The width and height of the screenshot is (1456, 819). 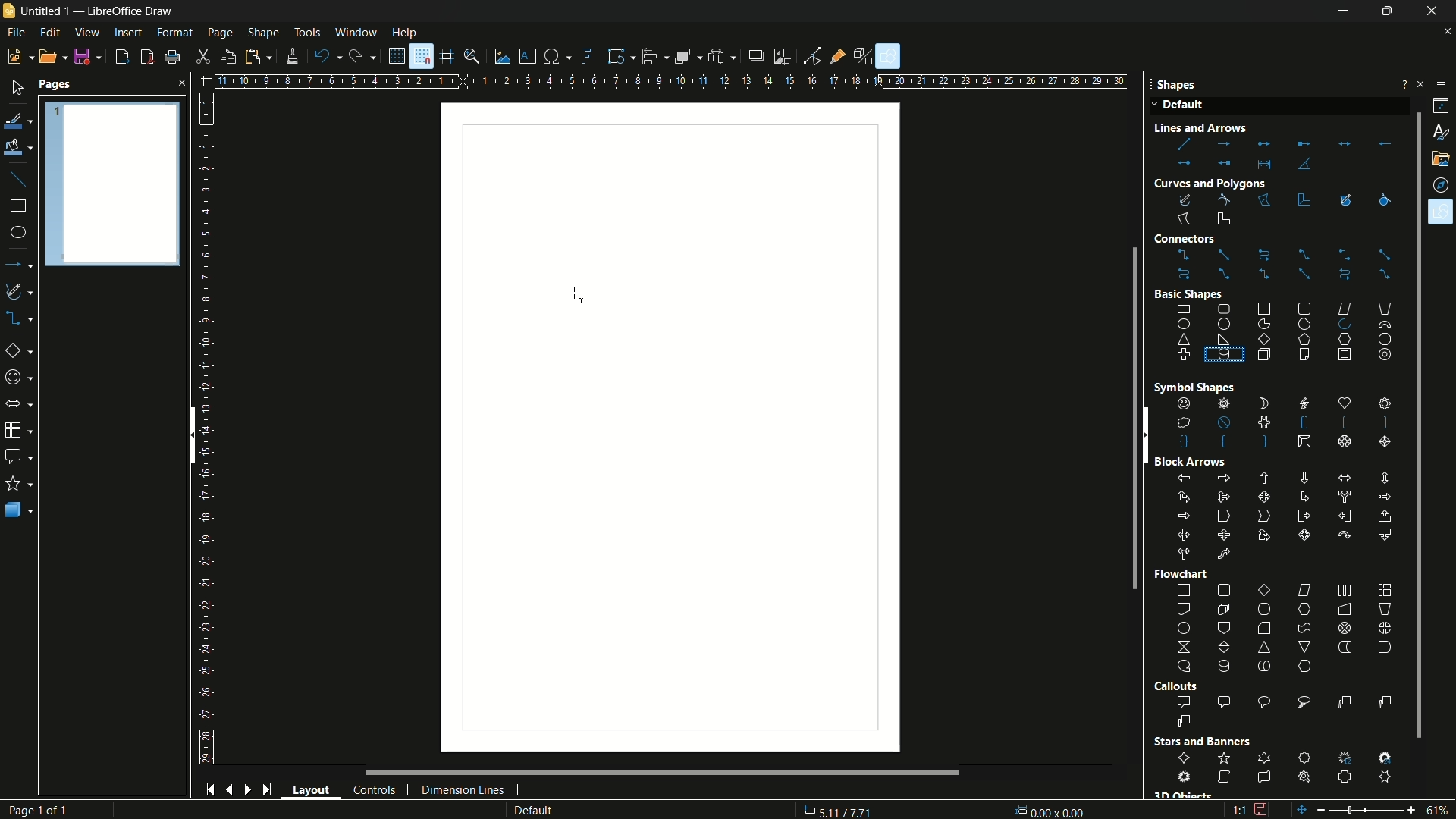 I want to click on symbol shapes, so click(x=20, y=378).